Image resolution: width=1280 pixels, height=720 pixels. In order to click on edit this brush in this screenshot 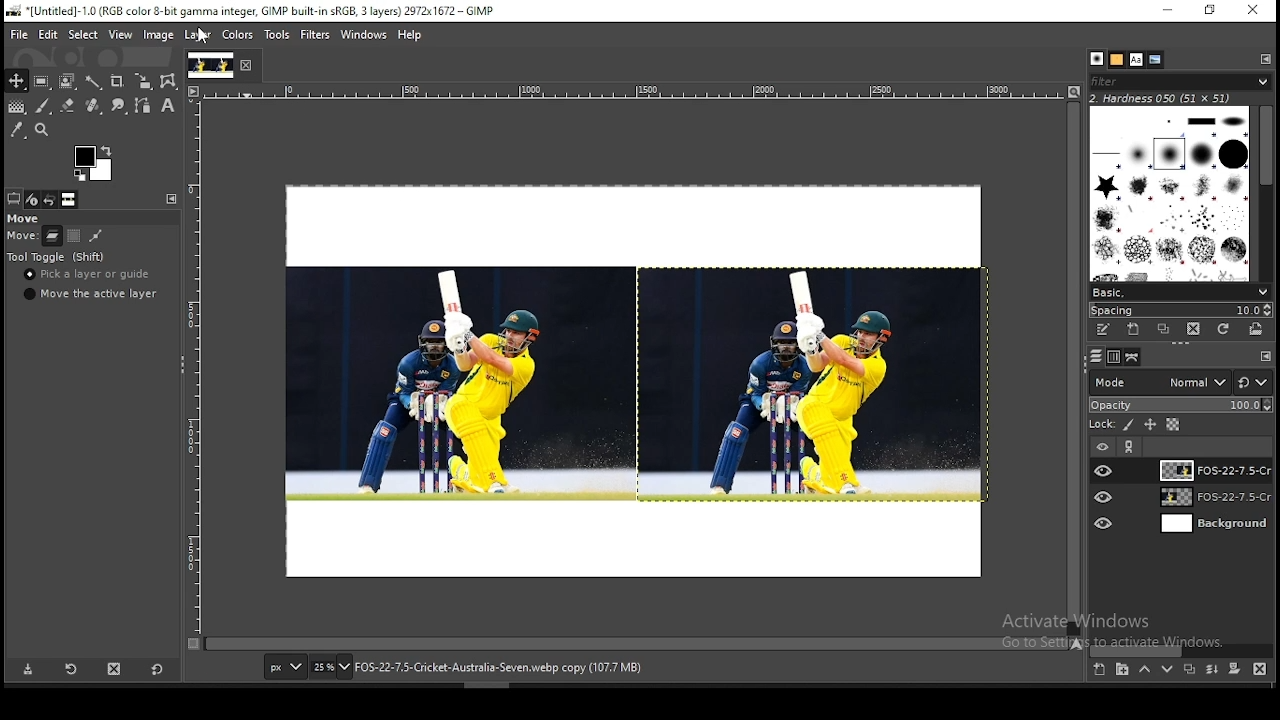, I will do `click(1103, 329)`.